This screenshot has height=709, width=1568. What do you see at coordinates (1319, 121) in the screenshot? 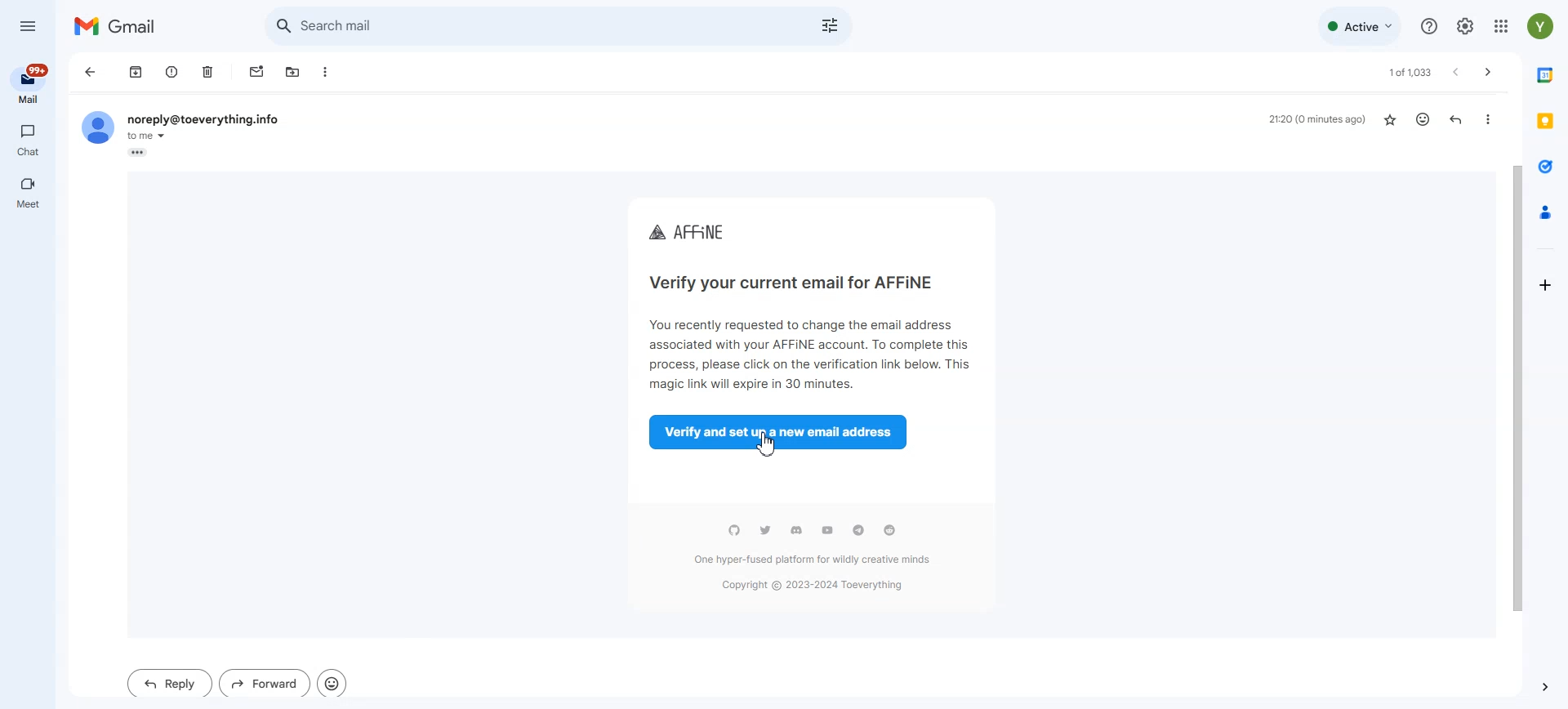
I see `Last checked` at bounding box center [1319, 121].